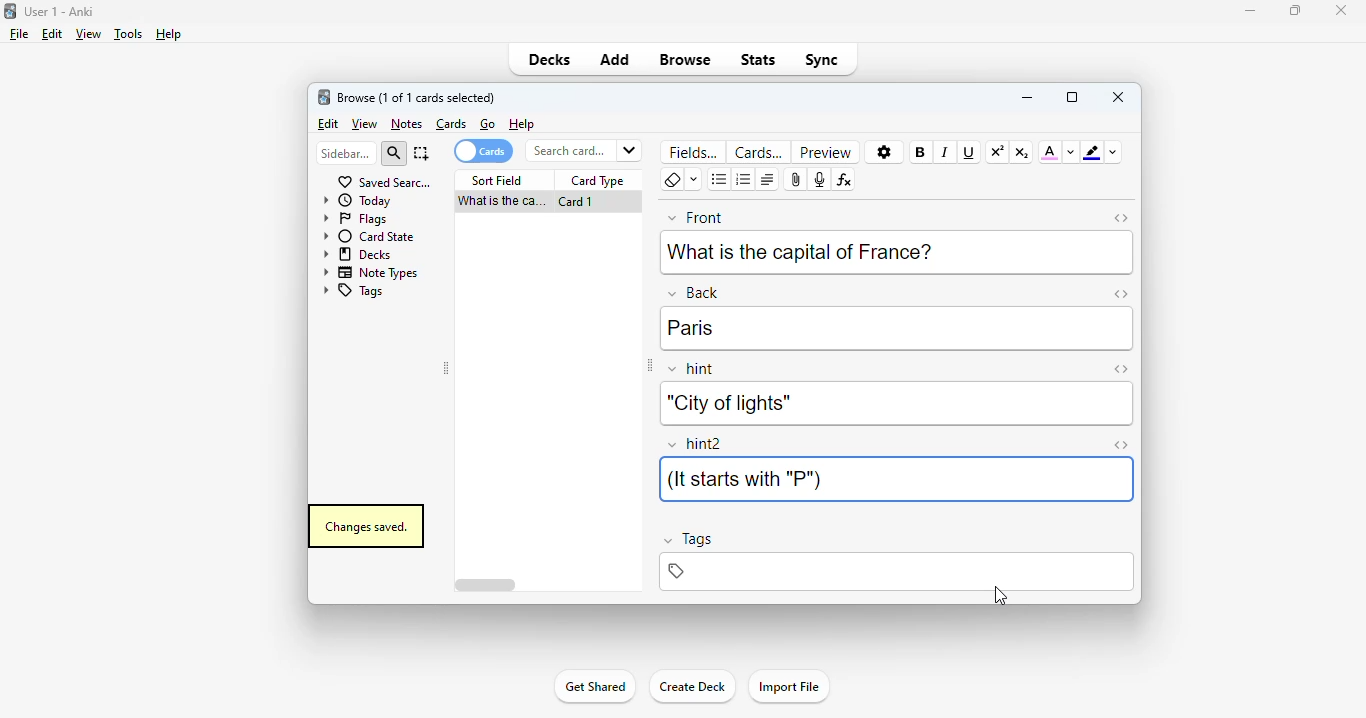 The image size is (1366, 718). What do you see at coordinates (796, 180) in the screenshot?
I see `attach pictures/audio/video` at bounding box center [796, 180].